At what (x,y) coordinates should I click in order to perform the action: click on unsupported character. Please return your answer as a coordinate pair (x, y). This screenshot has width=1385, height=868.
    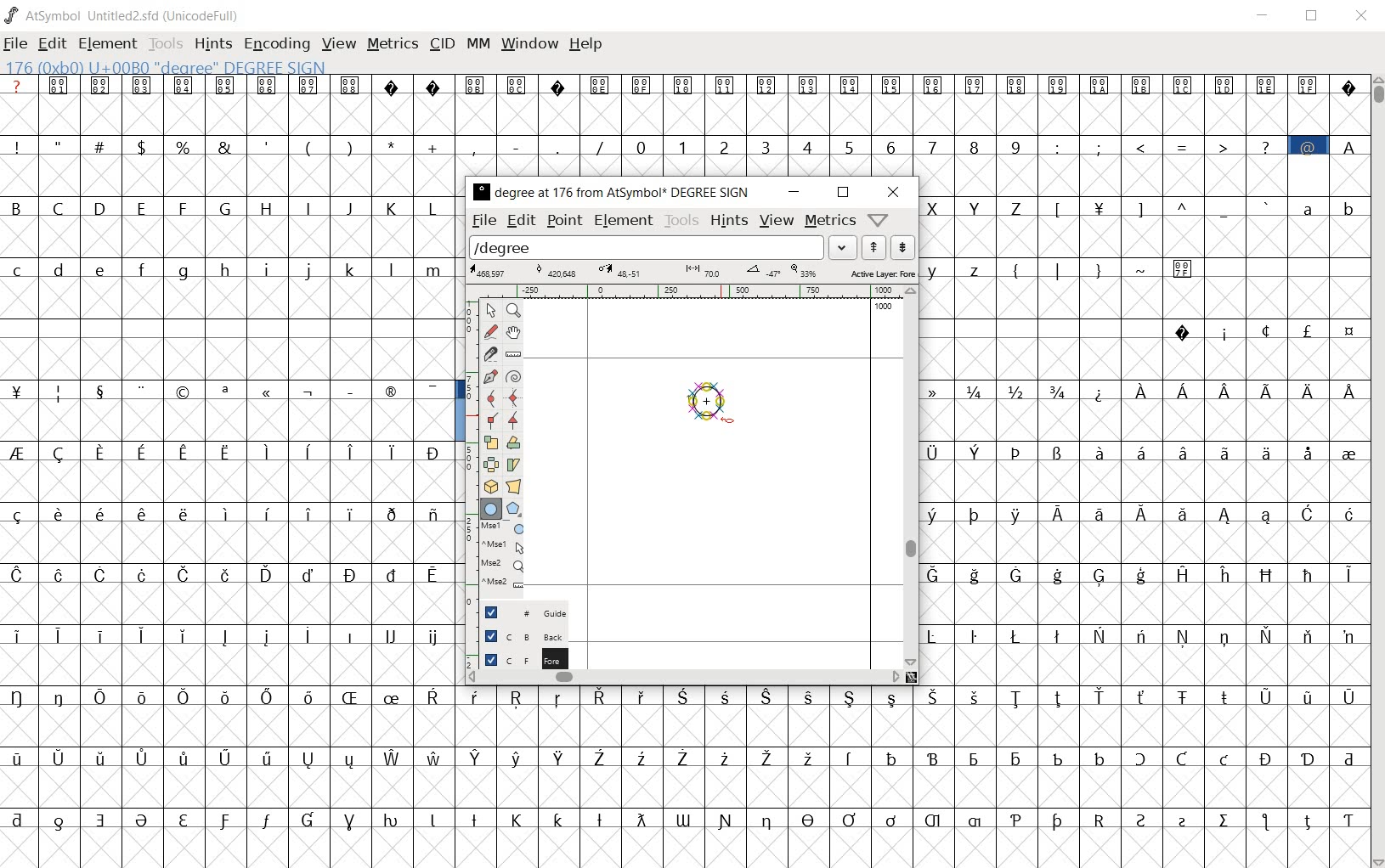
    Looking at the image, I should click on (559, 84).